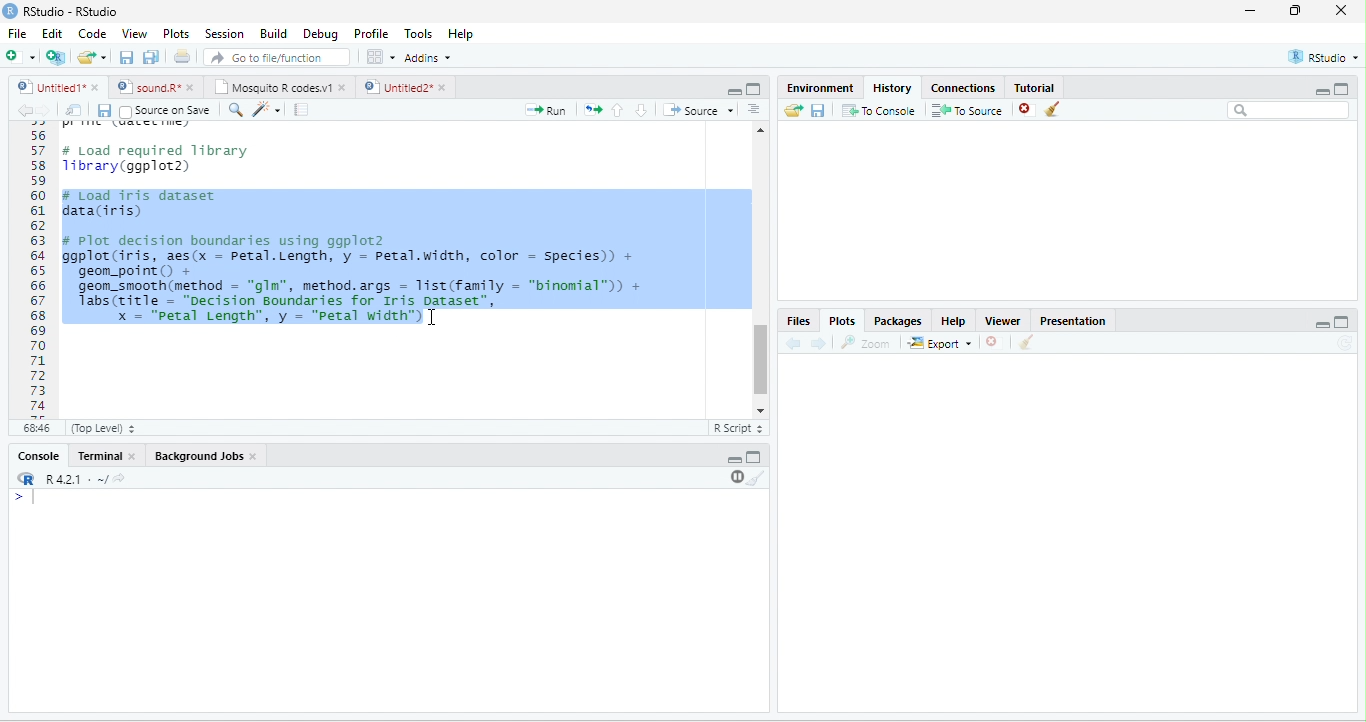  I want to click on Viewer, so click(1003, 321).